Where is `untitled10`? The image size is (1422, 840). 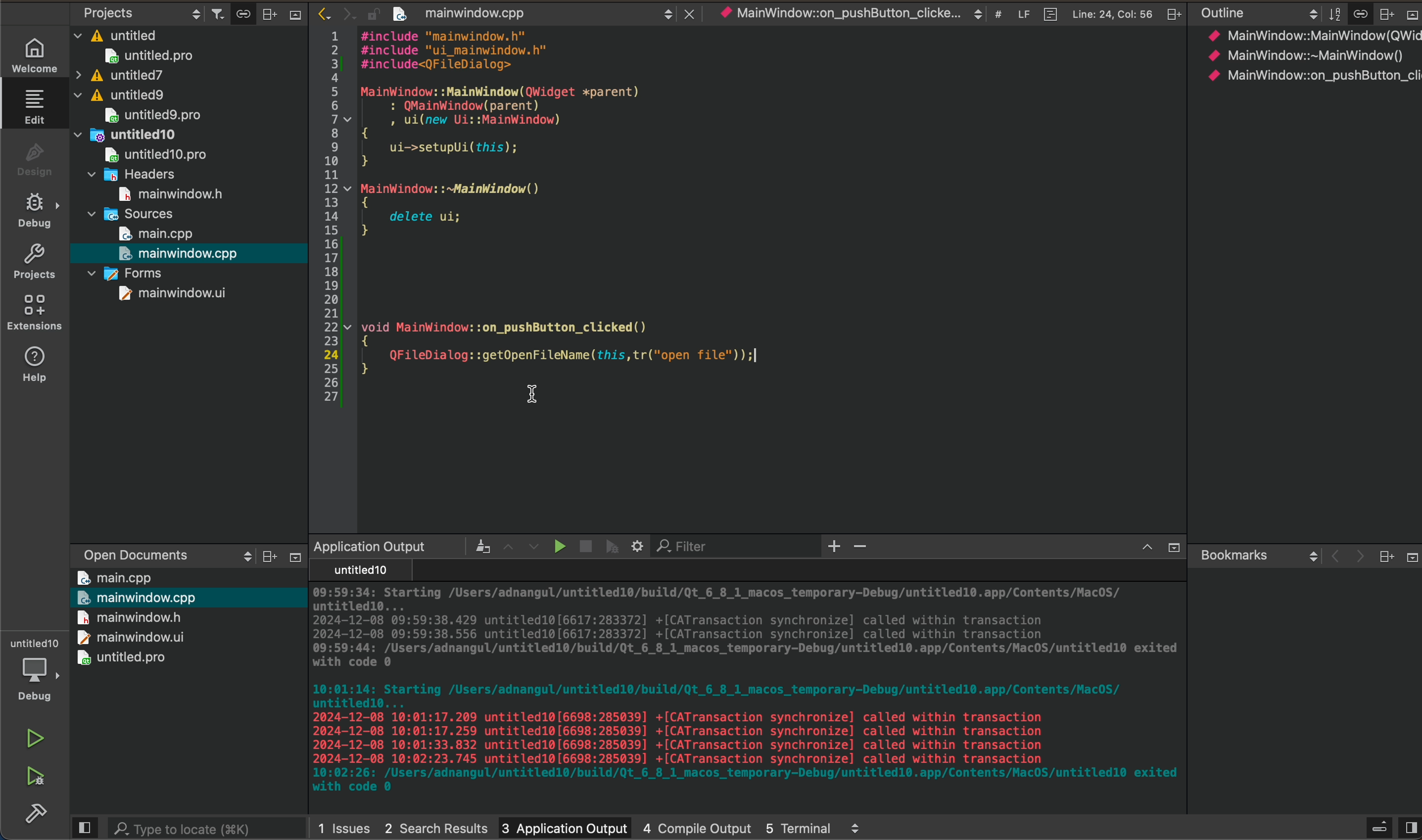
untitled10 is located at coordinates (357, 571).